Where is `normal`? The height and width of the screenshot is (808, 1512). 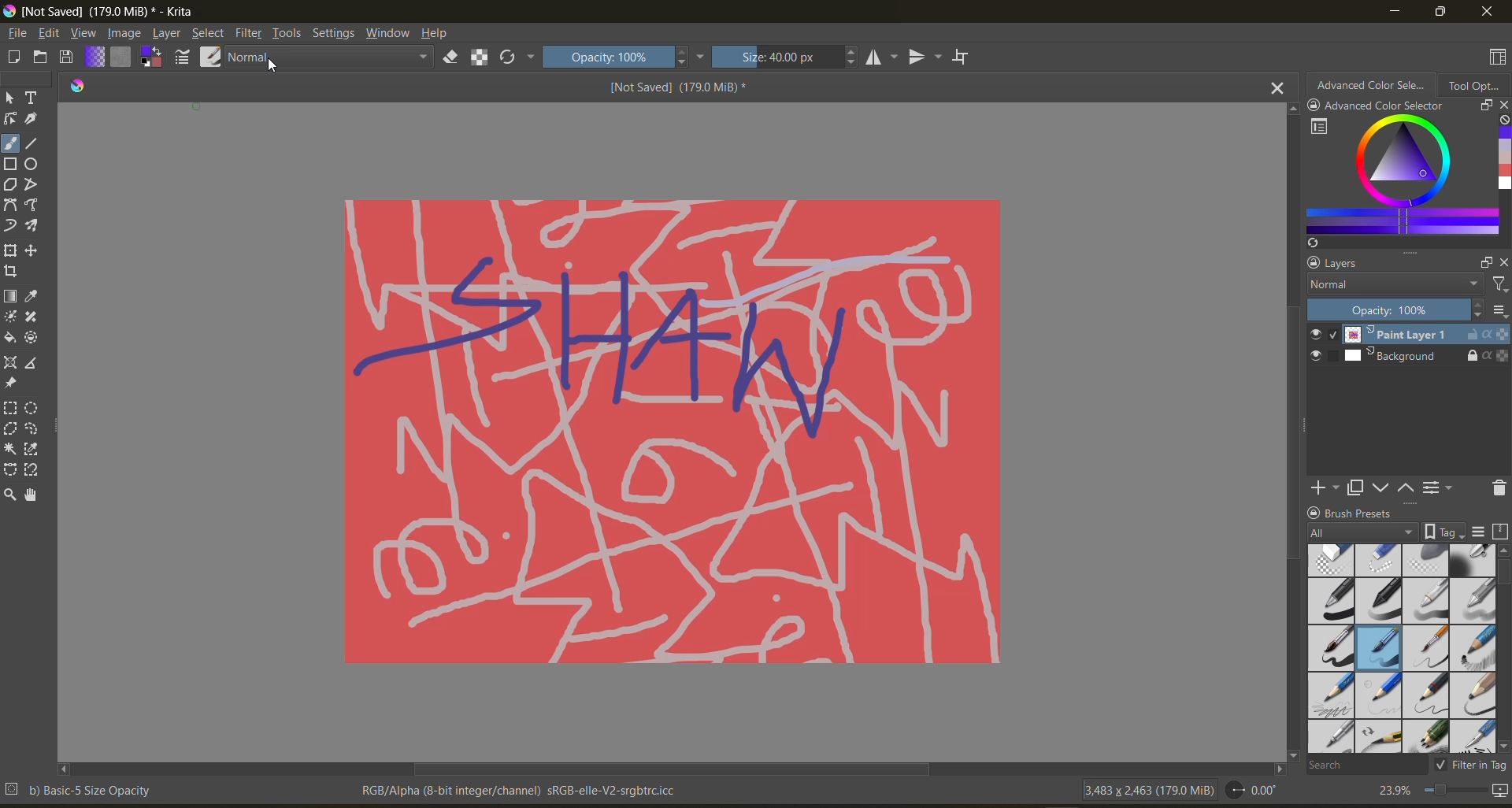
normal is located at coordinates (330, 57).